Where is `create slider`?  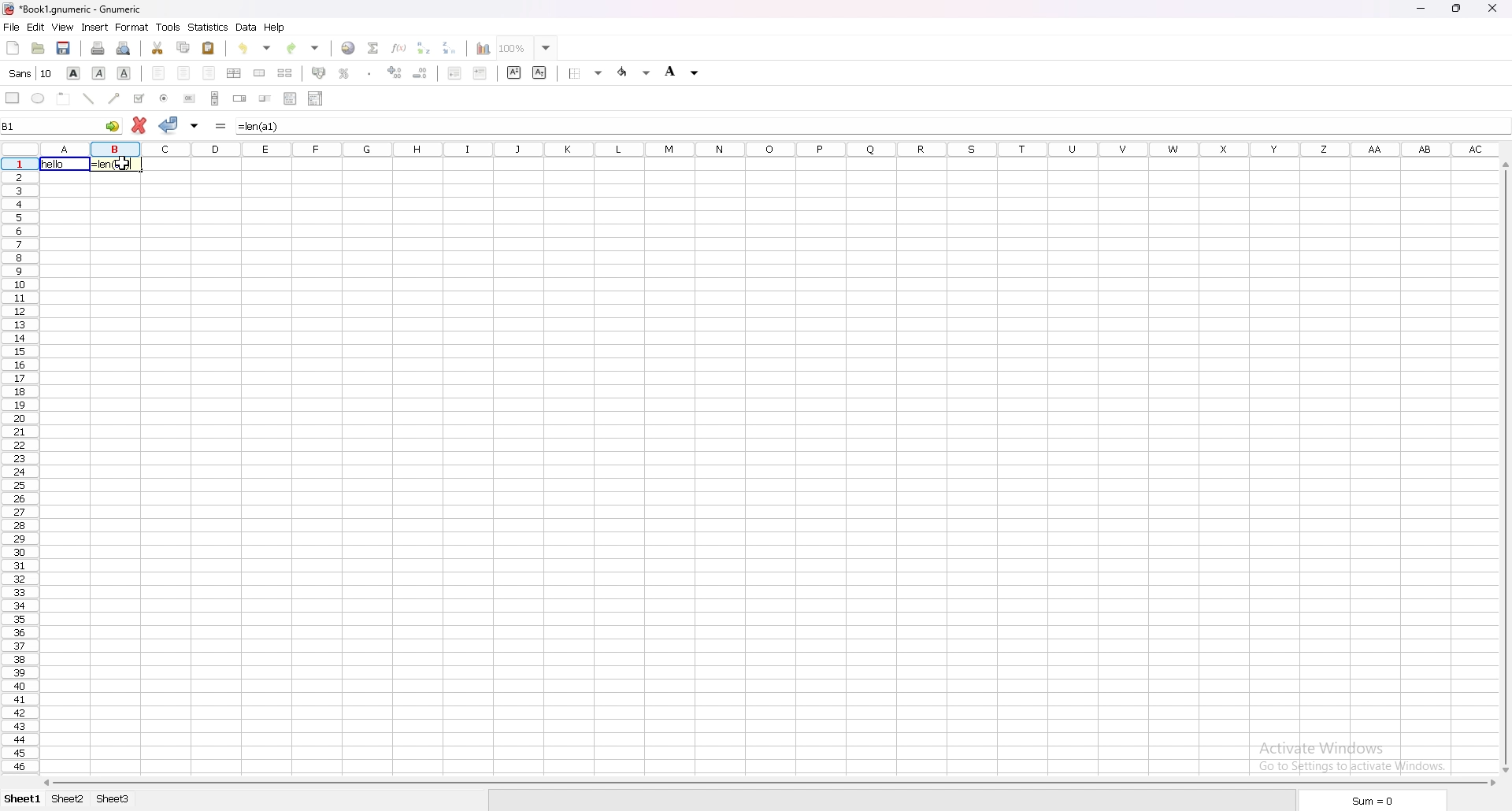
create slider is located at coordinates (267, 98).